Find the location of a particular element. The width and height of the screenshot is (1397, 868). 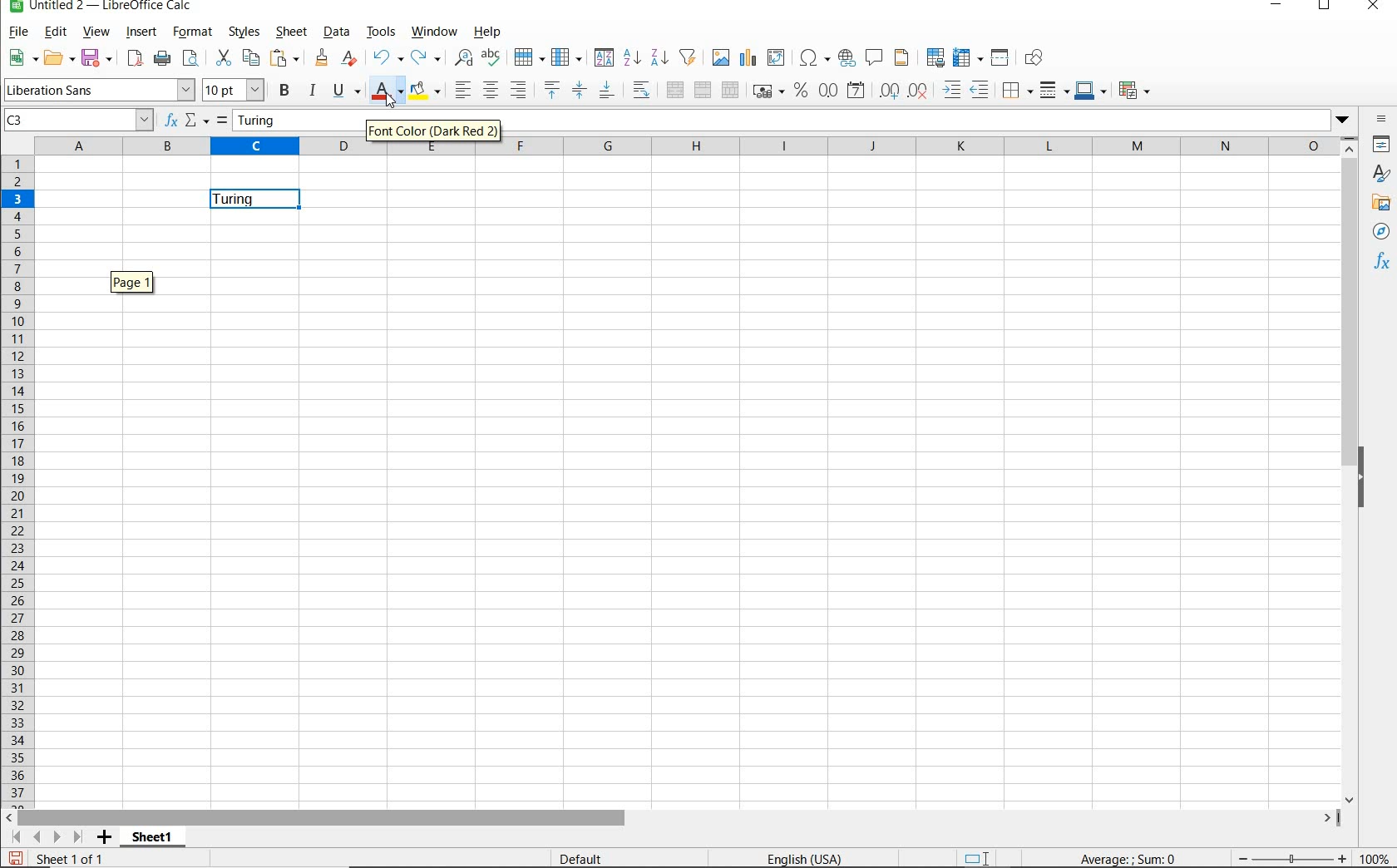

PRINT is located at coordinates (163, 60).